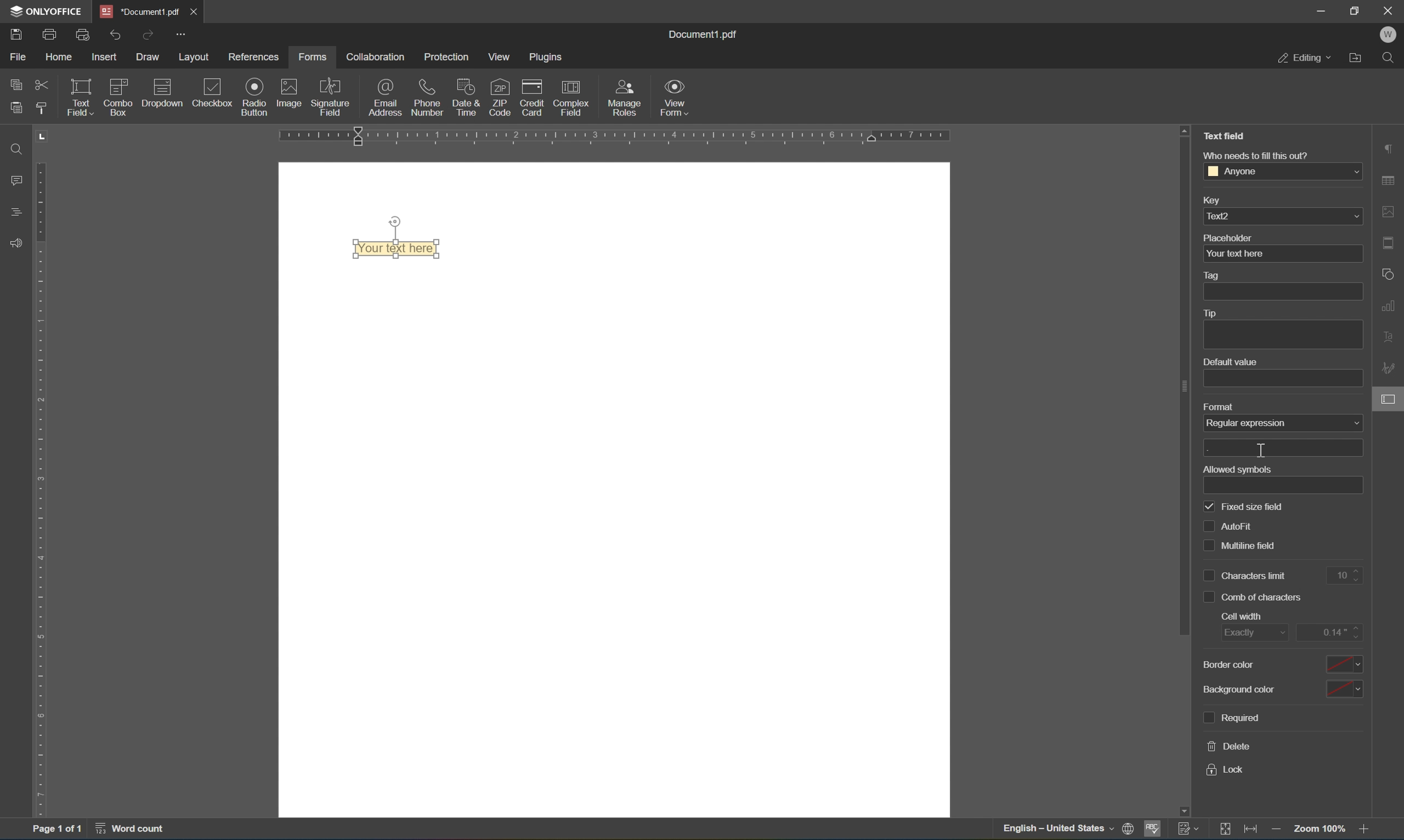  I want to click on signature settings, so click(1388, 365).